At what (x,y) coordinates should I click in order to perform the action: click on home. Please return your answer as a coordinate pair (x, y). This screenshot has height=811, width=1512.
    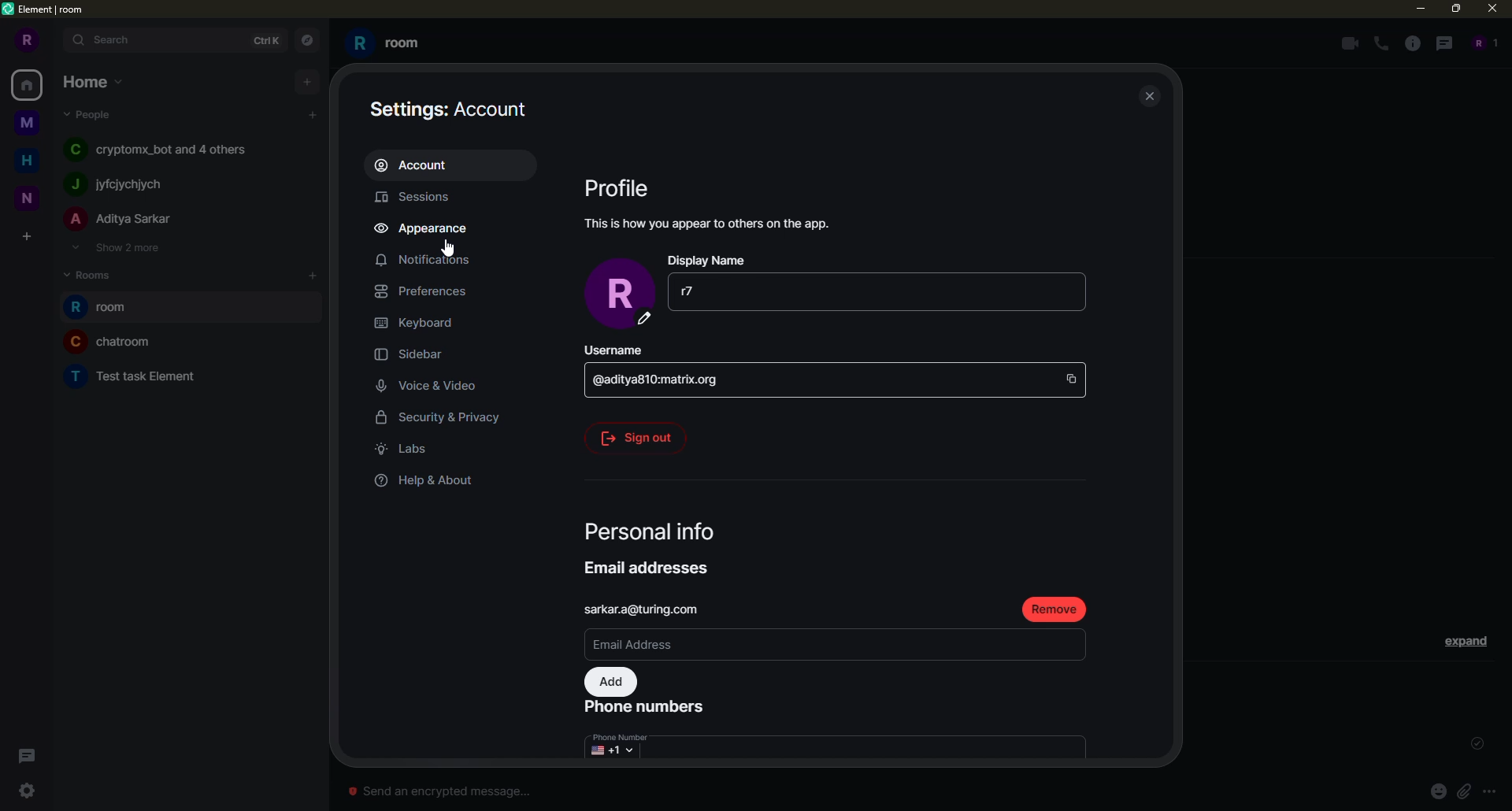
    Looking at the image, I should click on (94, 80).